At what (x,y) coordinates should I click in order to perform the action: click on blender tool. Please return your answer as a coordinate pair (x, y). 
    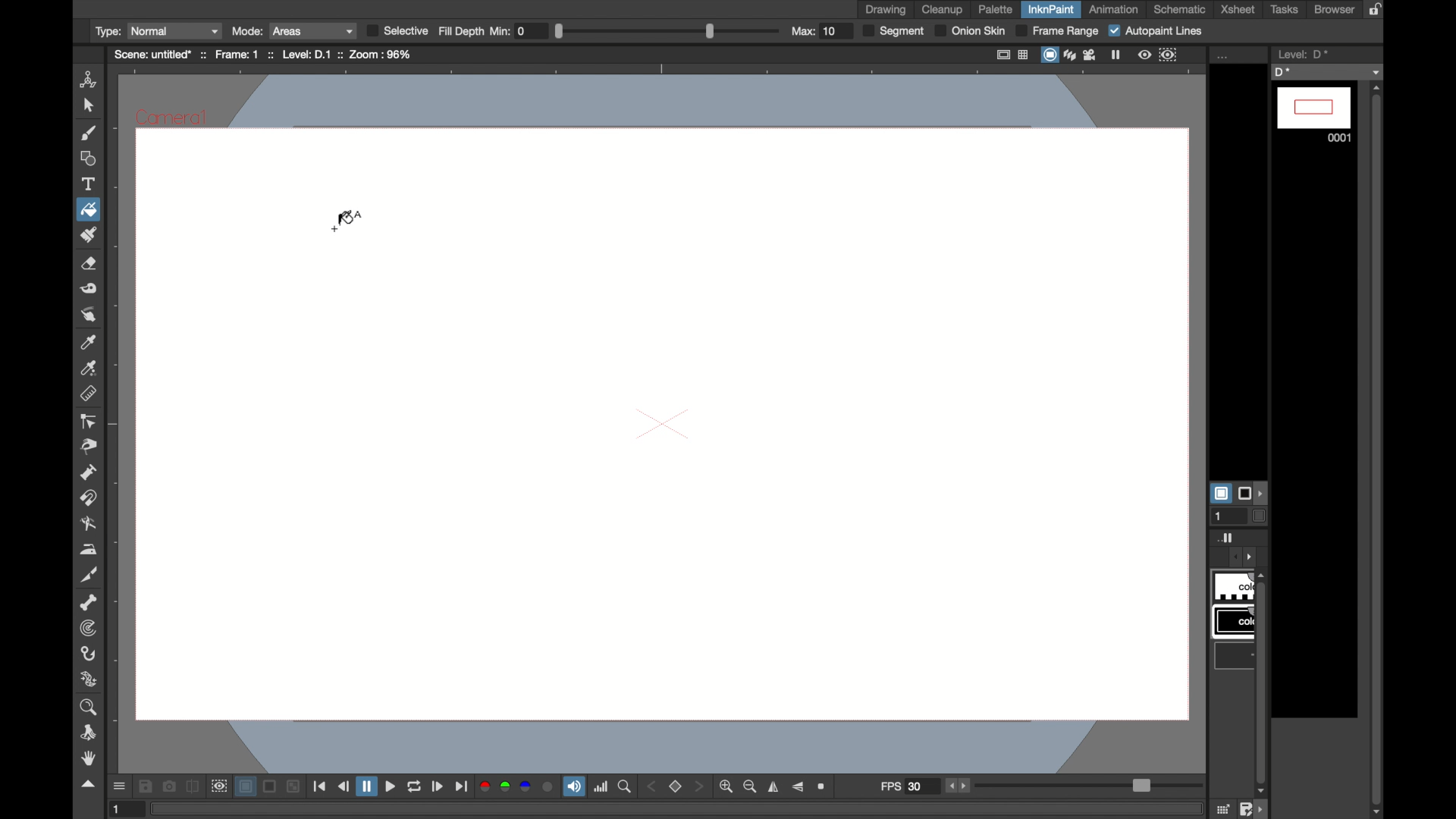
    Looking at the image, I should click on (87, 524).